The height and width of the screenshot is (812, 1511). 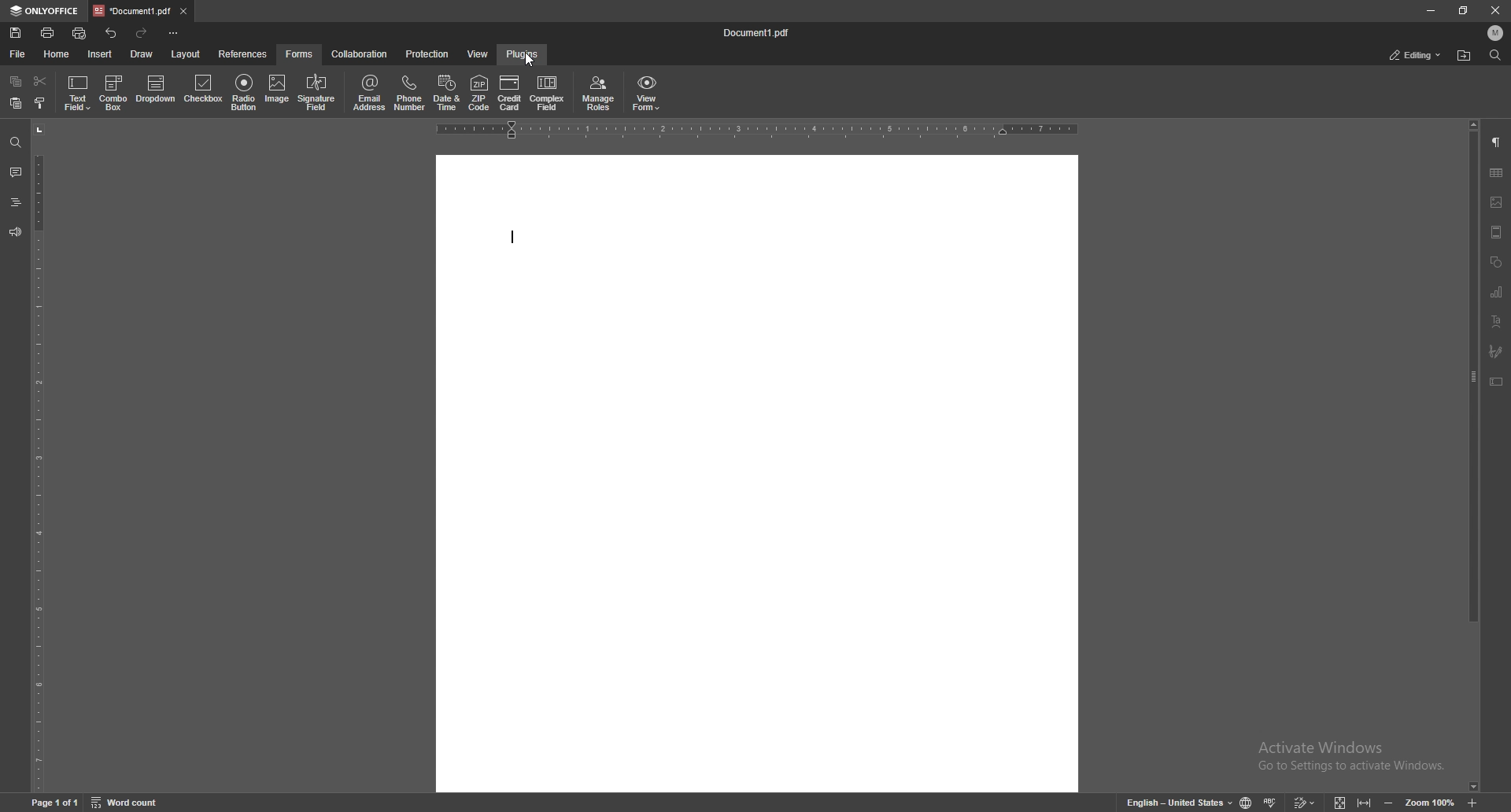 What do you see at coordinates (514, 234) in the screenshot?
I see `type` at bounding box center [514, 234].